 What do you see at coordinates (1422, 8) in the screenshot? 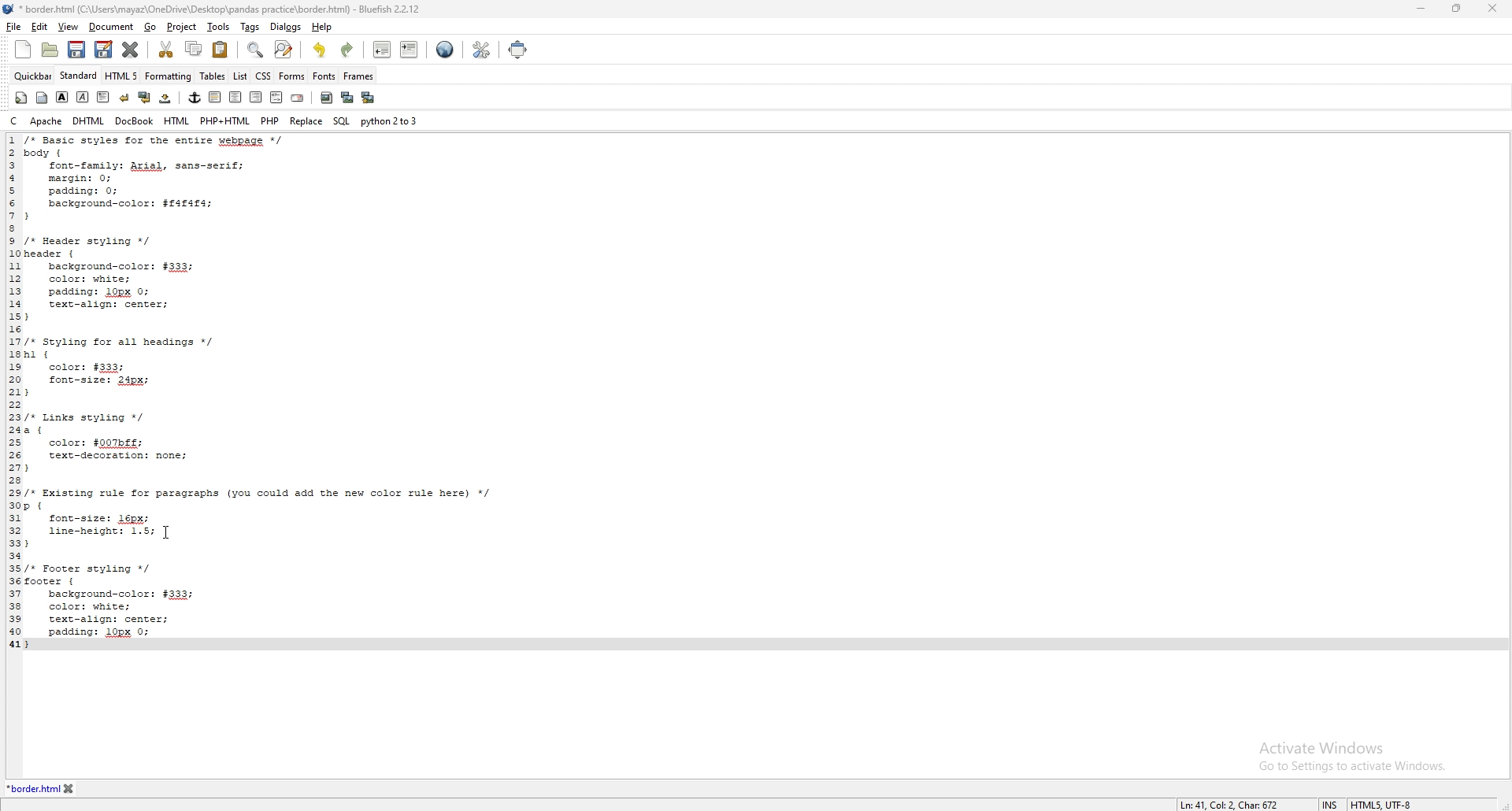
I see `minimize` at bounding box center [1422, 8].